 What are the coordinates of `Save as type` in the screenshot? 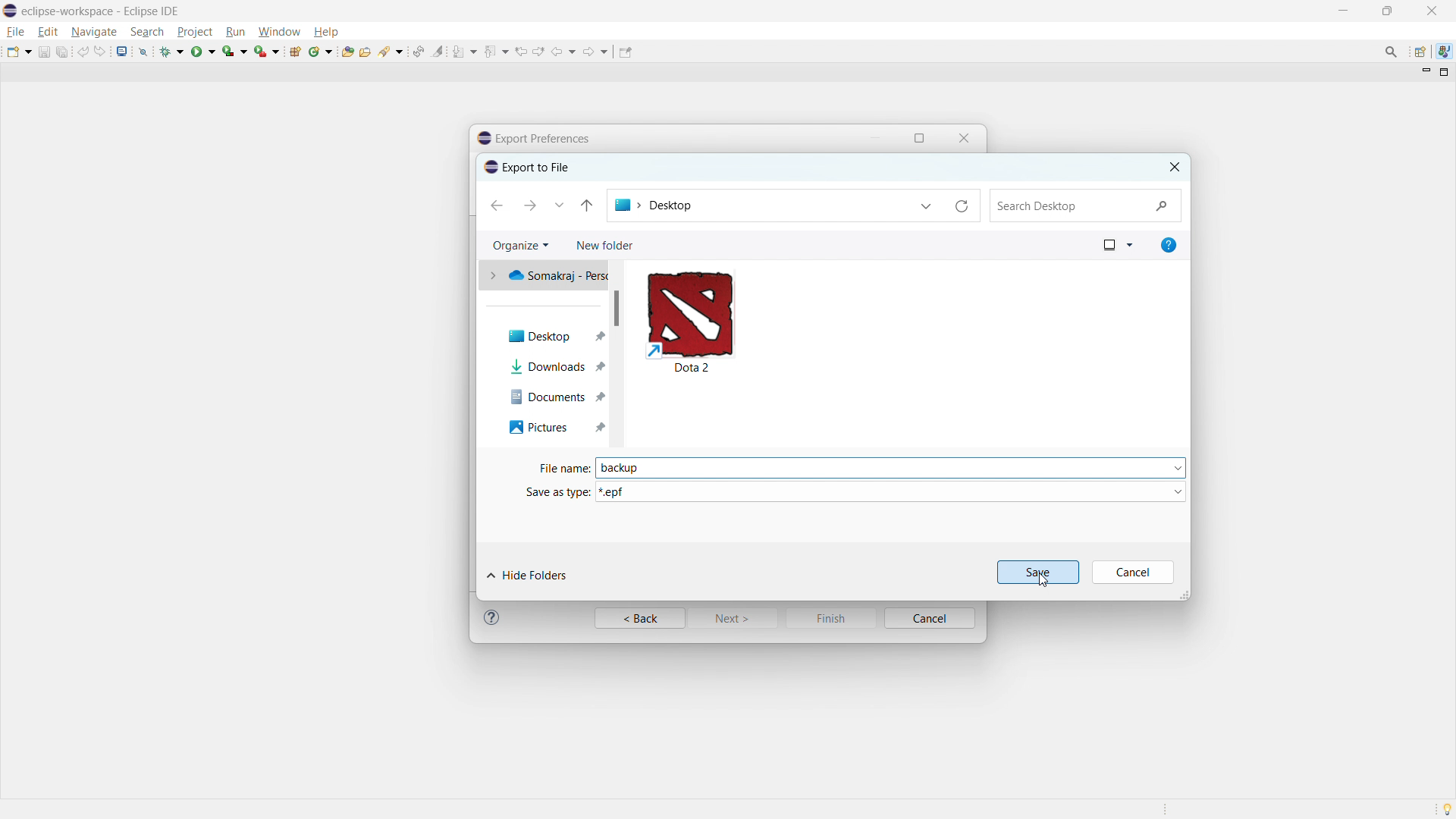 It's located at (854, 491).